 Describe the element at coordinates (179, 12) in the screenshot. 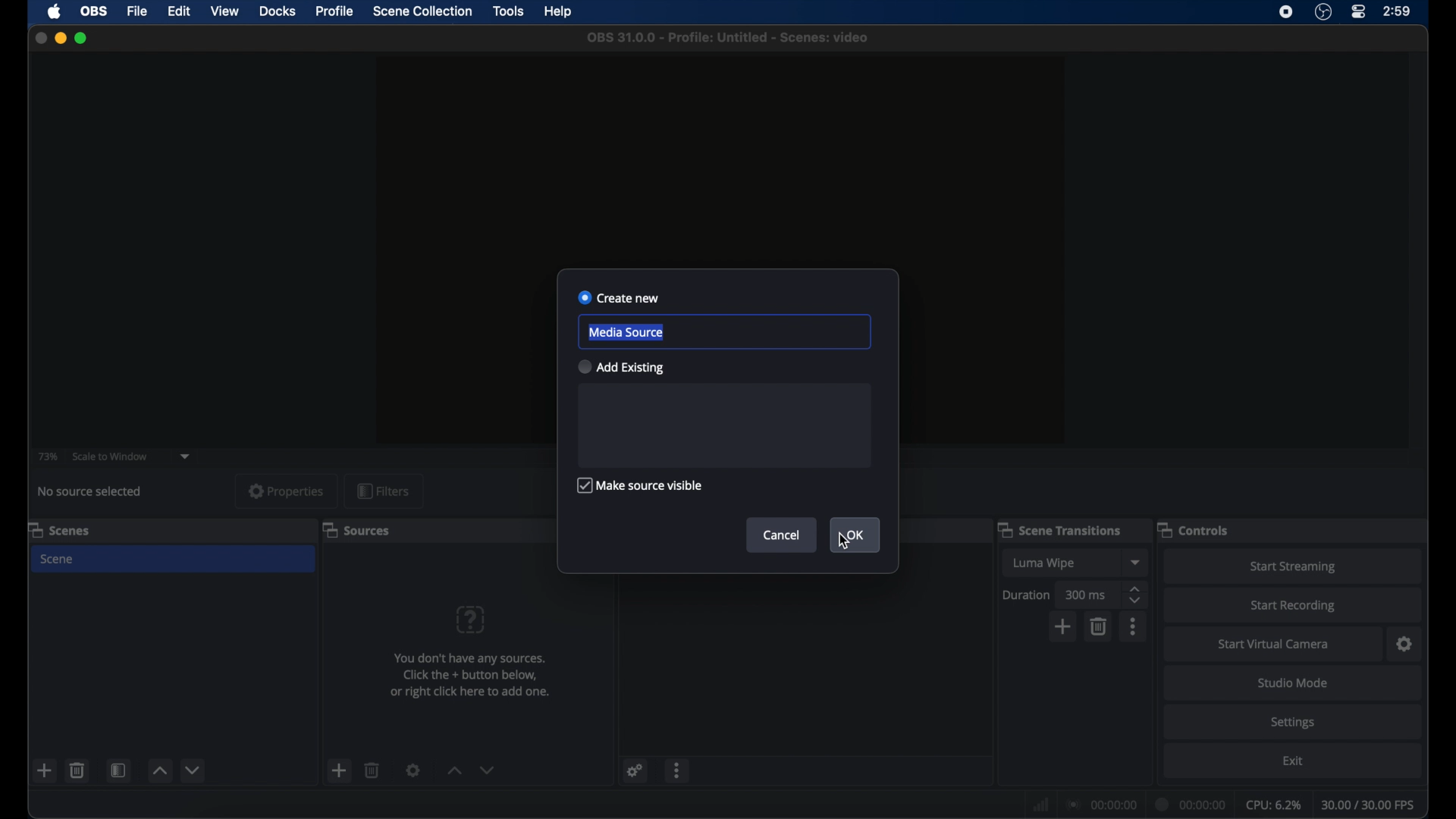

I see `edit` at that location.